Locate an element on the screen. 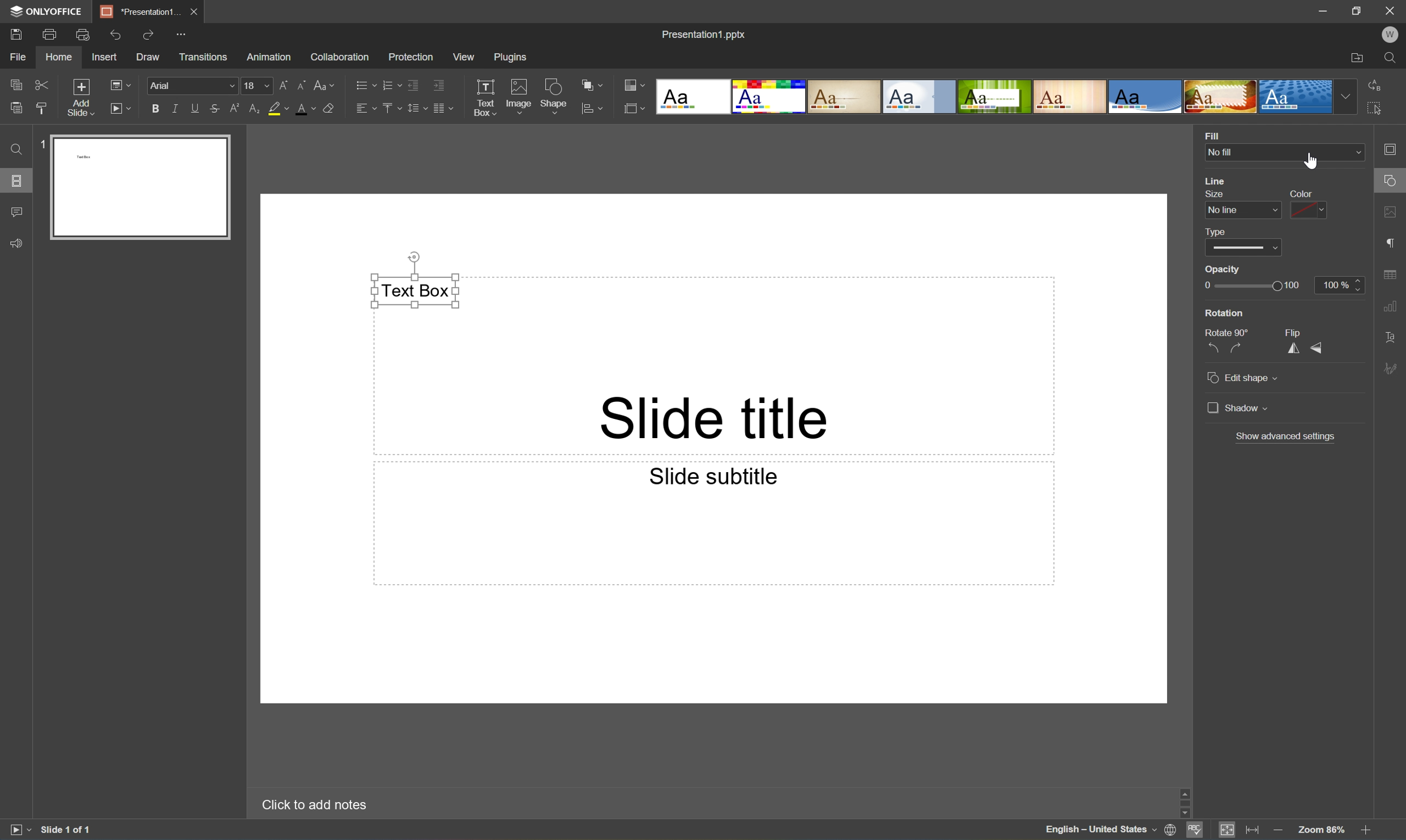 Image resolution: width=1406 pixels, height=840 pixels. No fill is located at coordinates (1285, 152).